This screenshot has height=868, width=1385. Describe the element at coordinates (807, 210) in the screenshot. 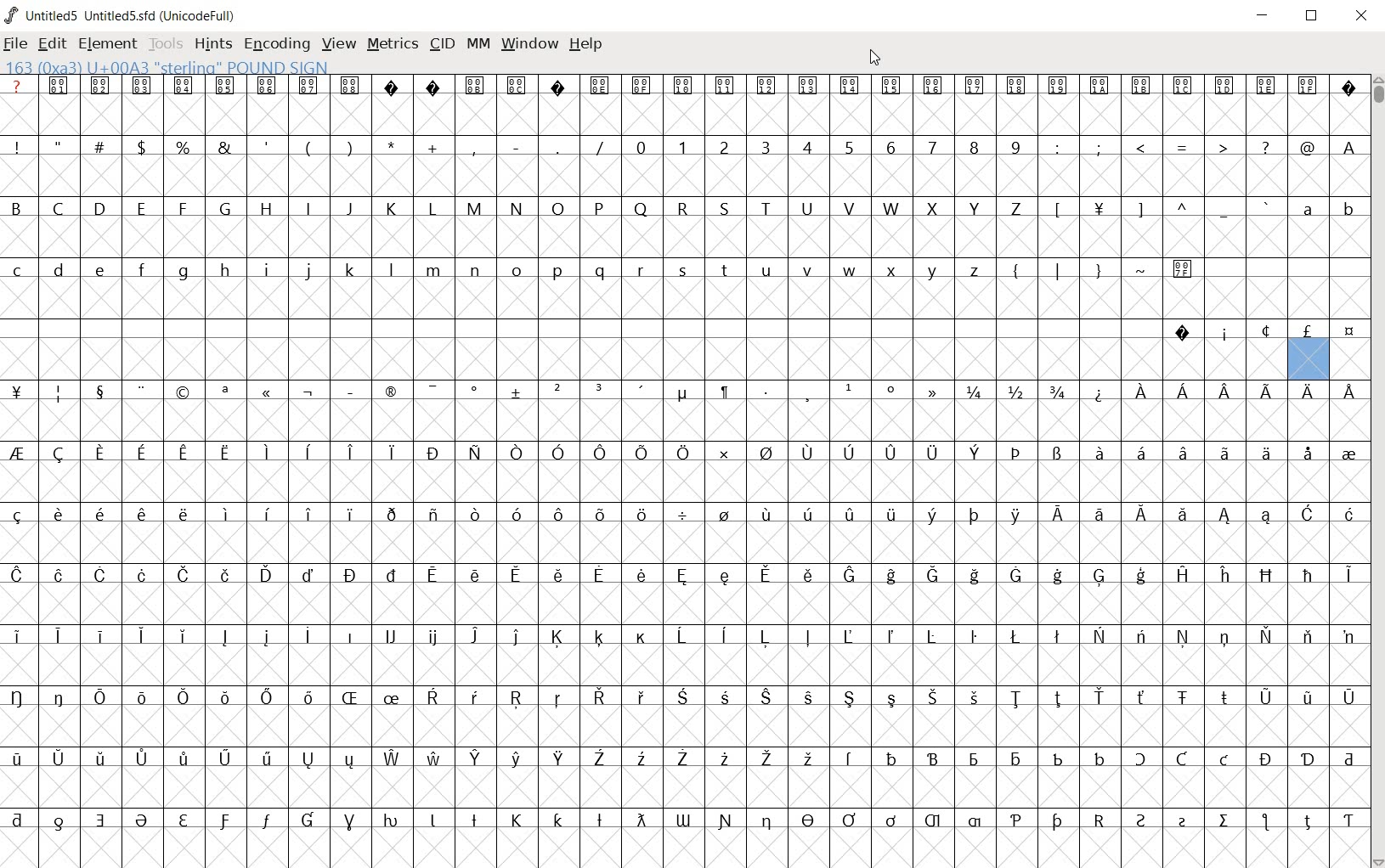

I see `U` at that location.